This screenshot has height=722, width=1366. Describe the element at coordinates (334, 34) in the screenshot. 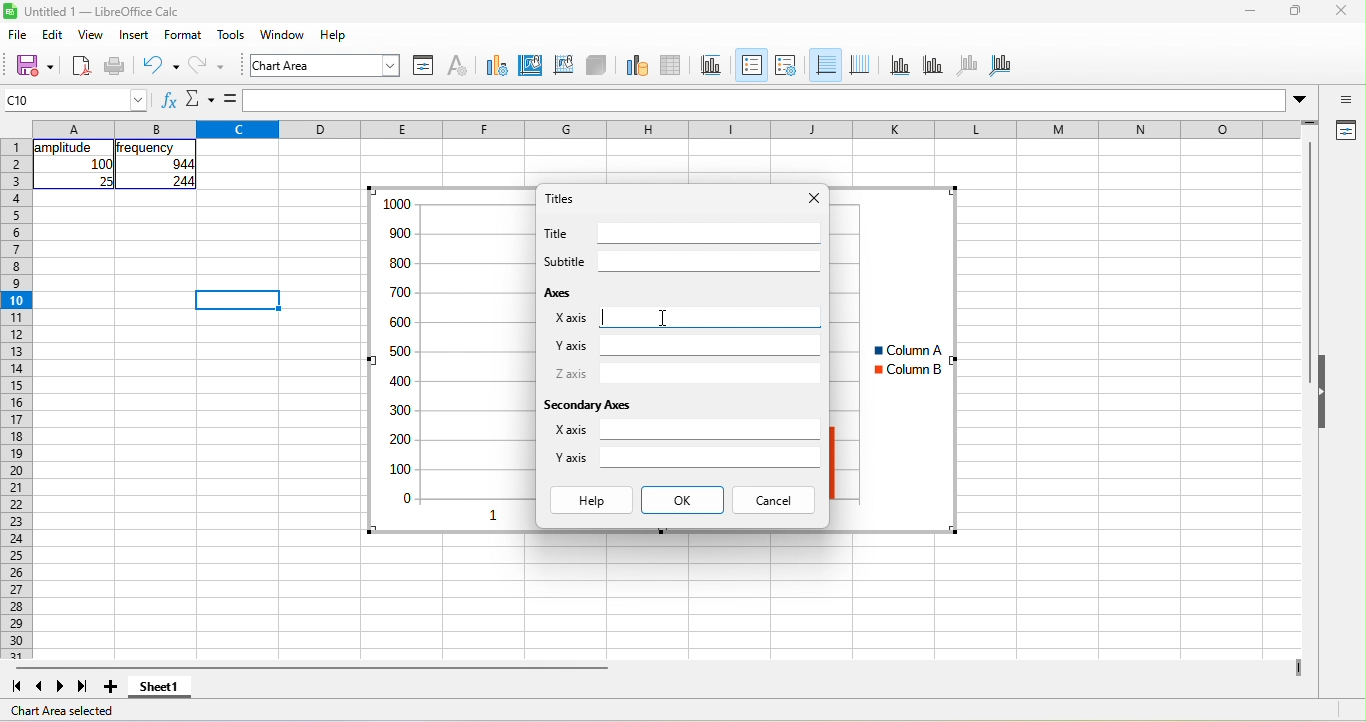

I see `help` at that location.